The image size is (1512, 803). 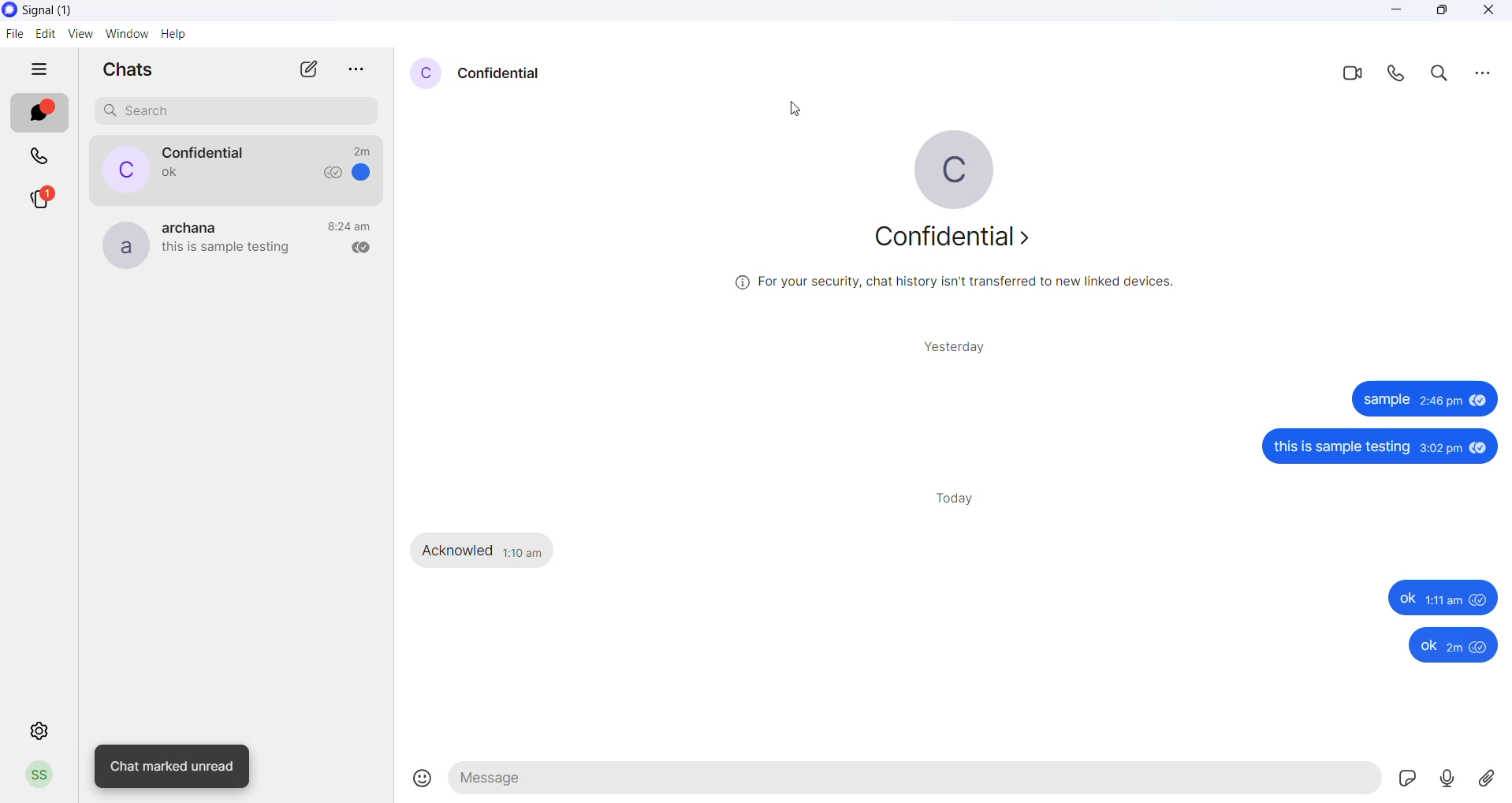 I want to click on last message, so click(x=163, y=176).